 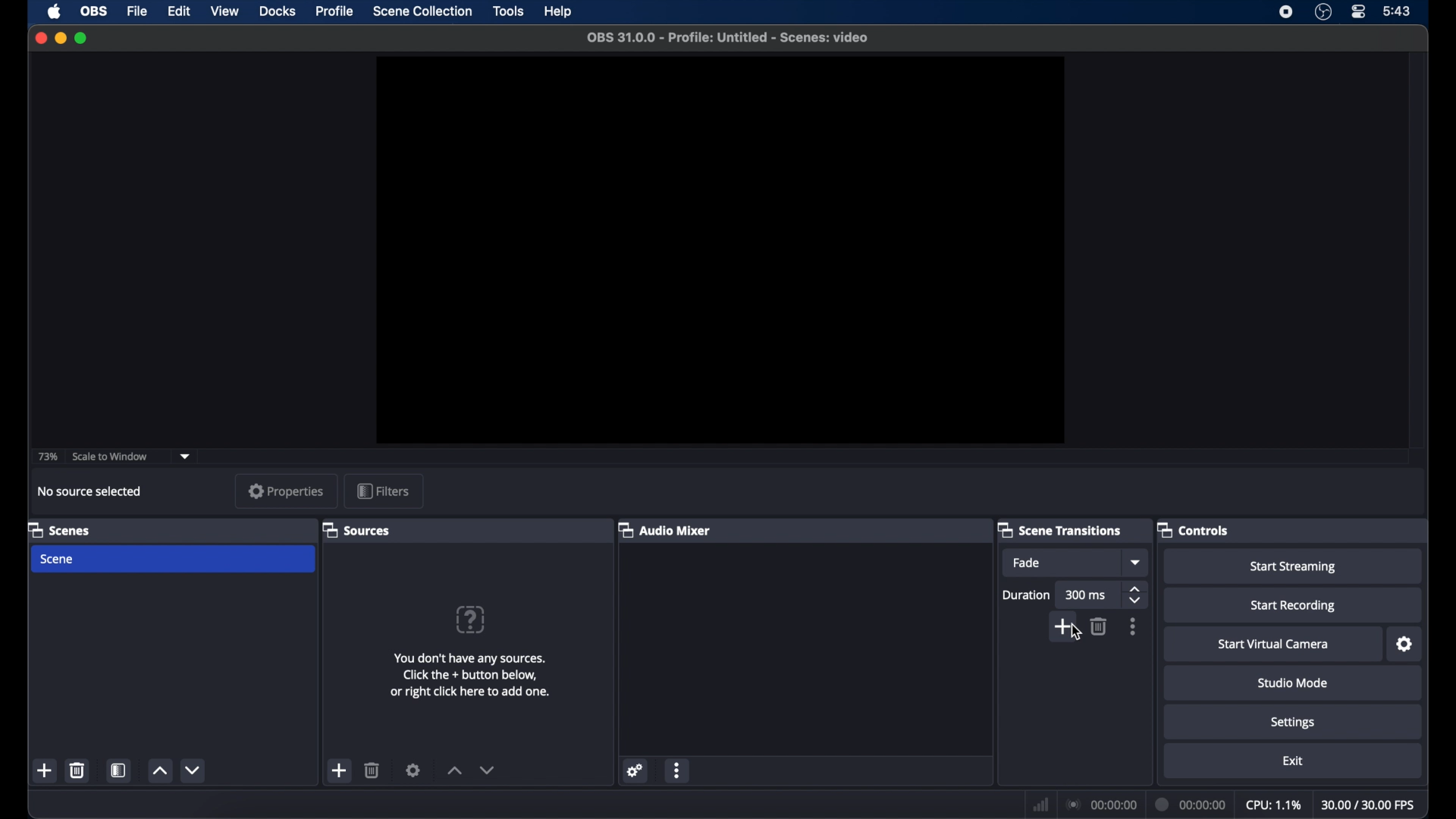 I want to click on no source selected, so click(x=89, y=491).